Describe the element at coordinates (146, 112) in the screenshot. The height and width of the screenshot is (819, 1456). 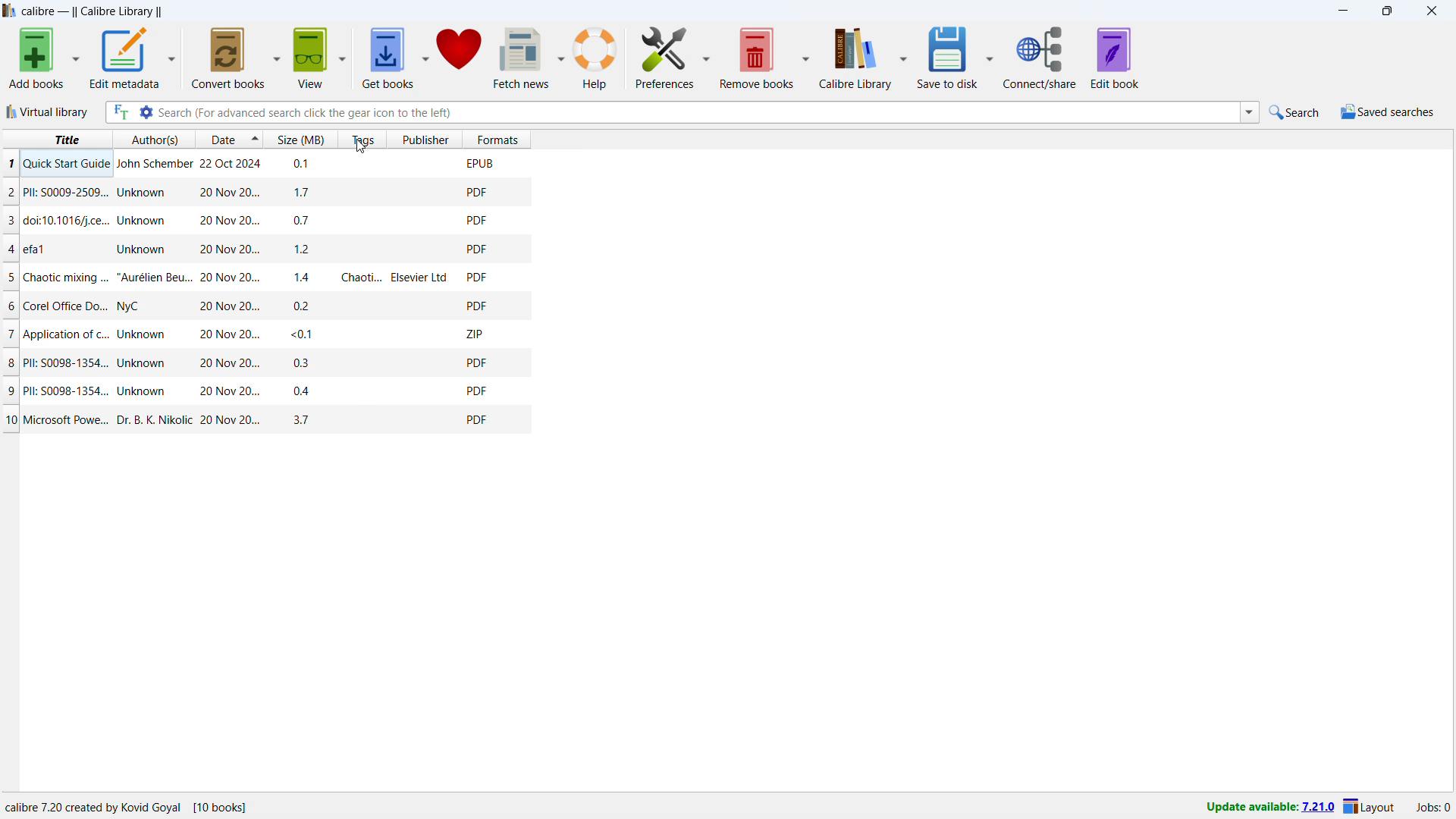
I see `advanced search` at that location.